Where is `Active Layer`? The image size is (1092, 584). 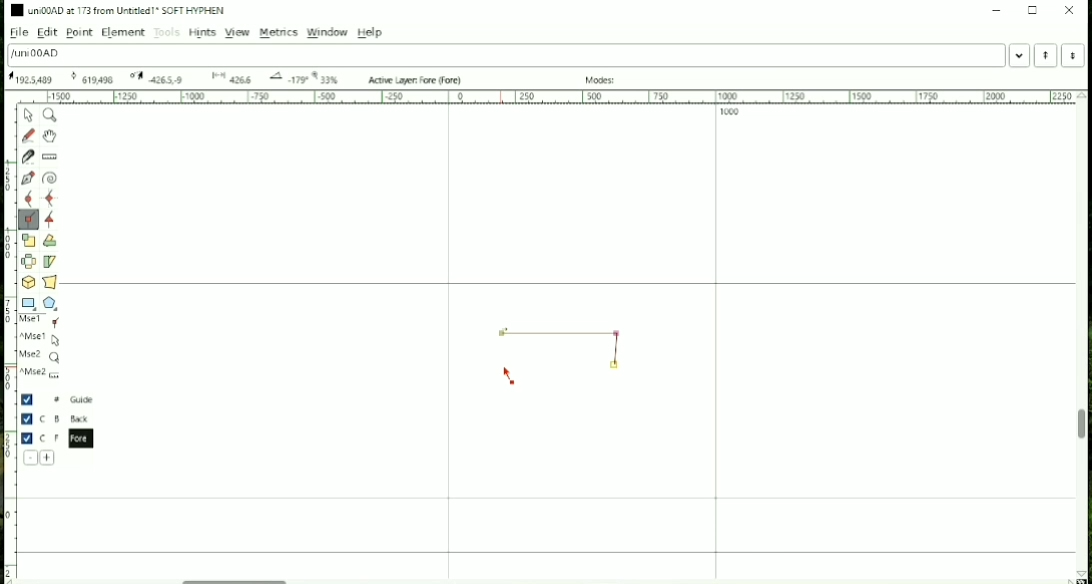
Active Layer is located at coordinates (417, 80).